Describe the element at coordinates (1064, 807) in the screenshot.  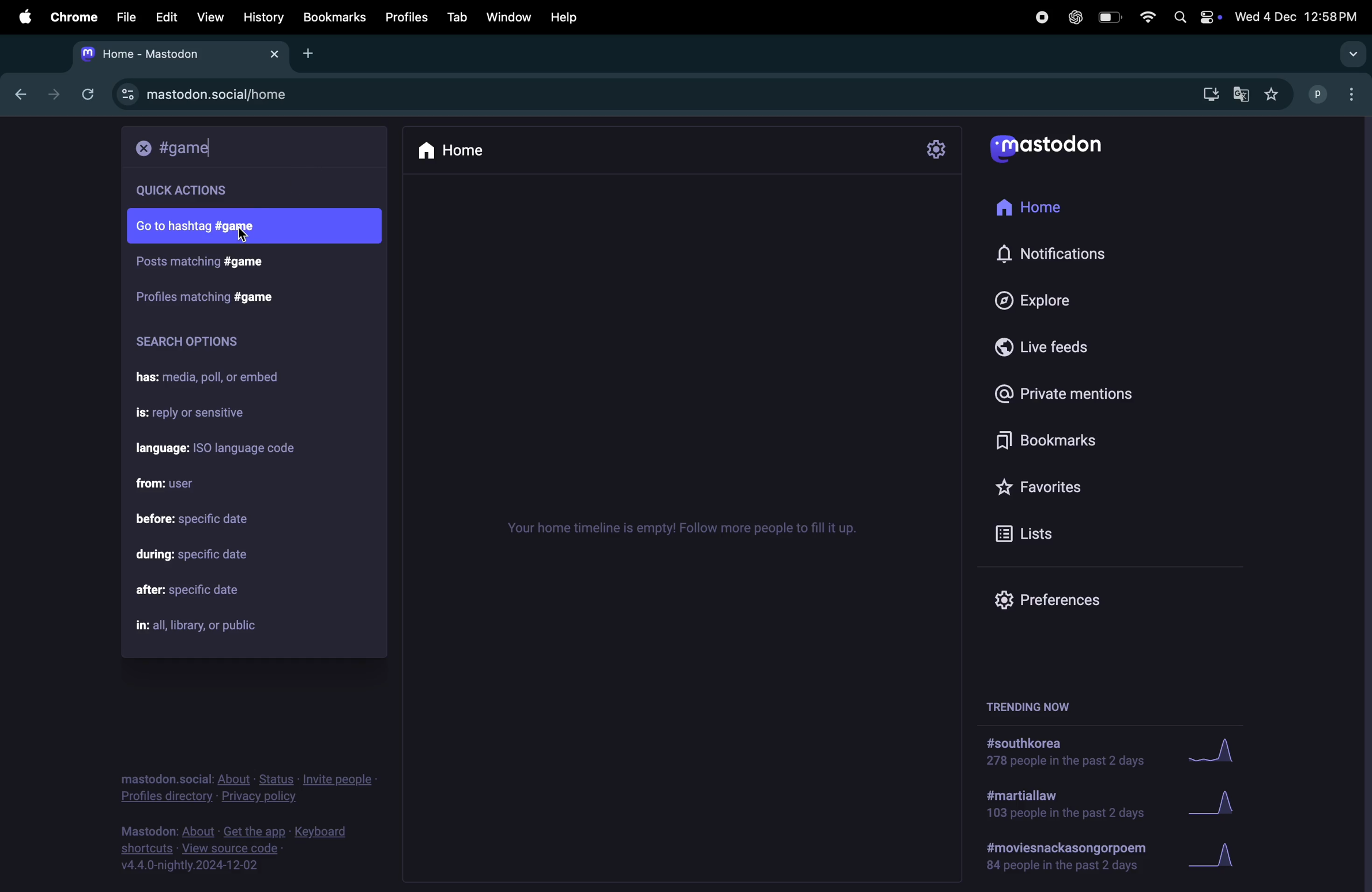
I see `#martial law` at that location.